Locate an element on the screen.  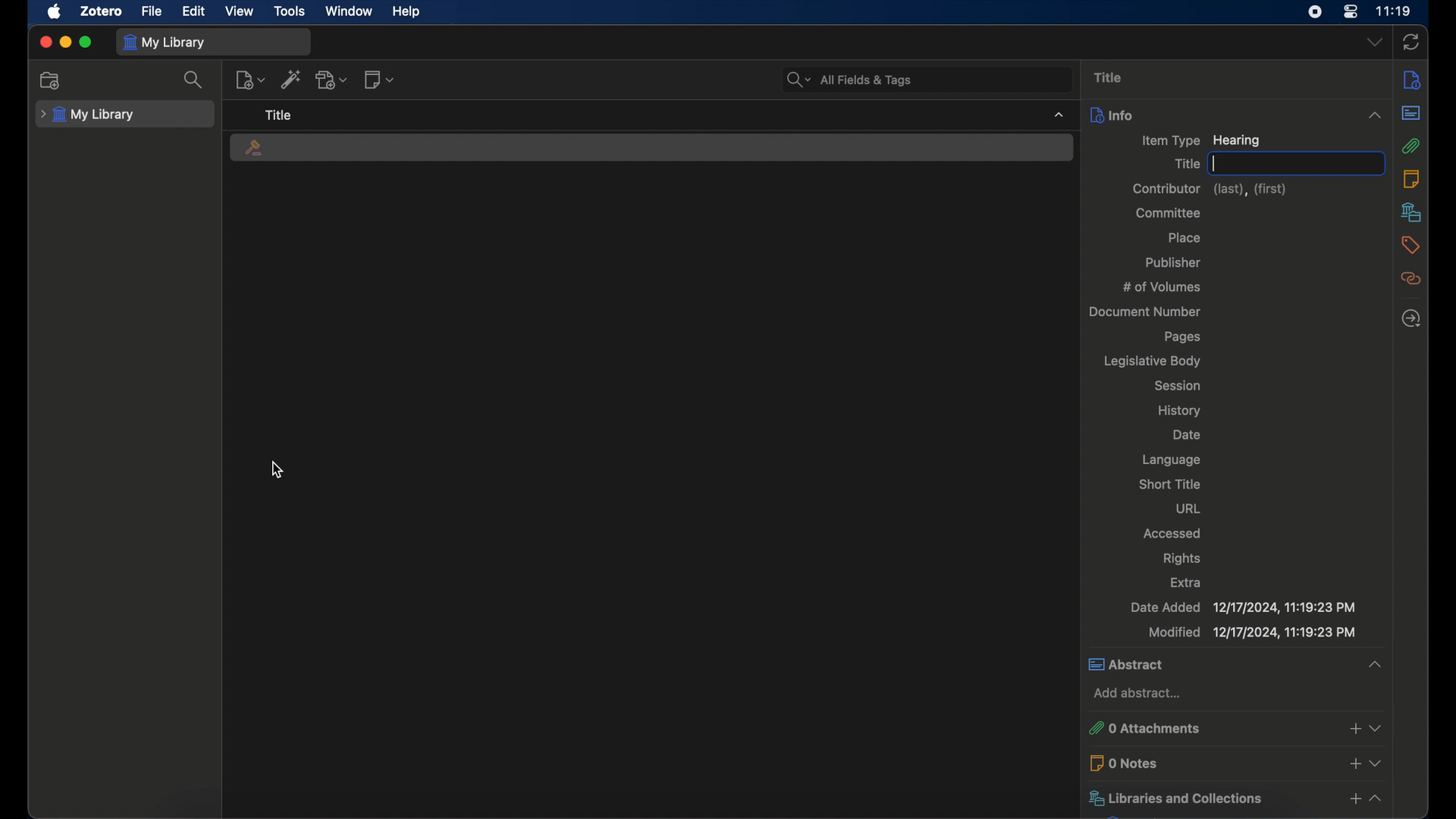
maximize is located at coordinates (86, 42).